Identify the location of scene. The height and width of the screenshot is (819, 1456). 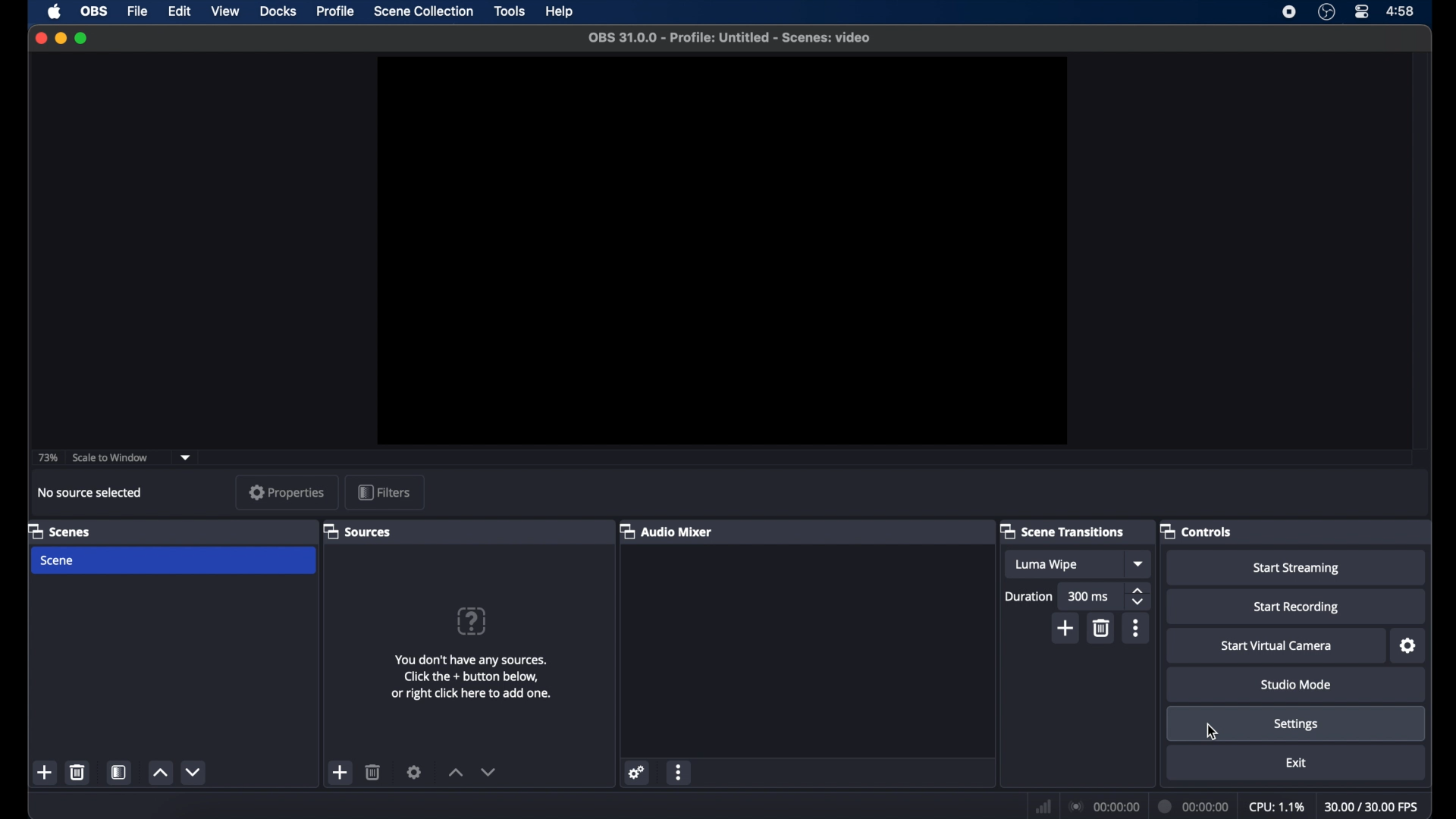
(58, 560).